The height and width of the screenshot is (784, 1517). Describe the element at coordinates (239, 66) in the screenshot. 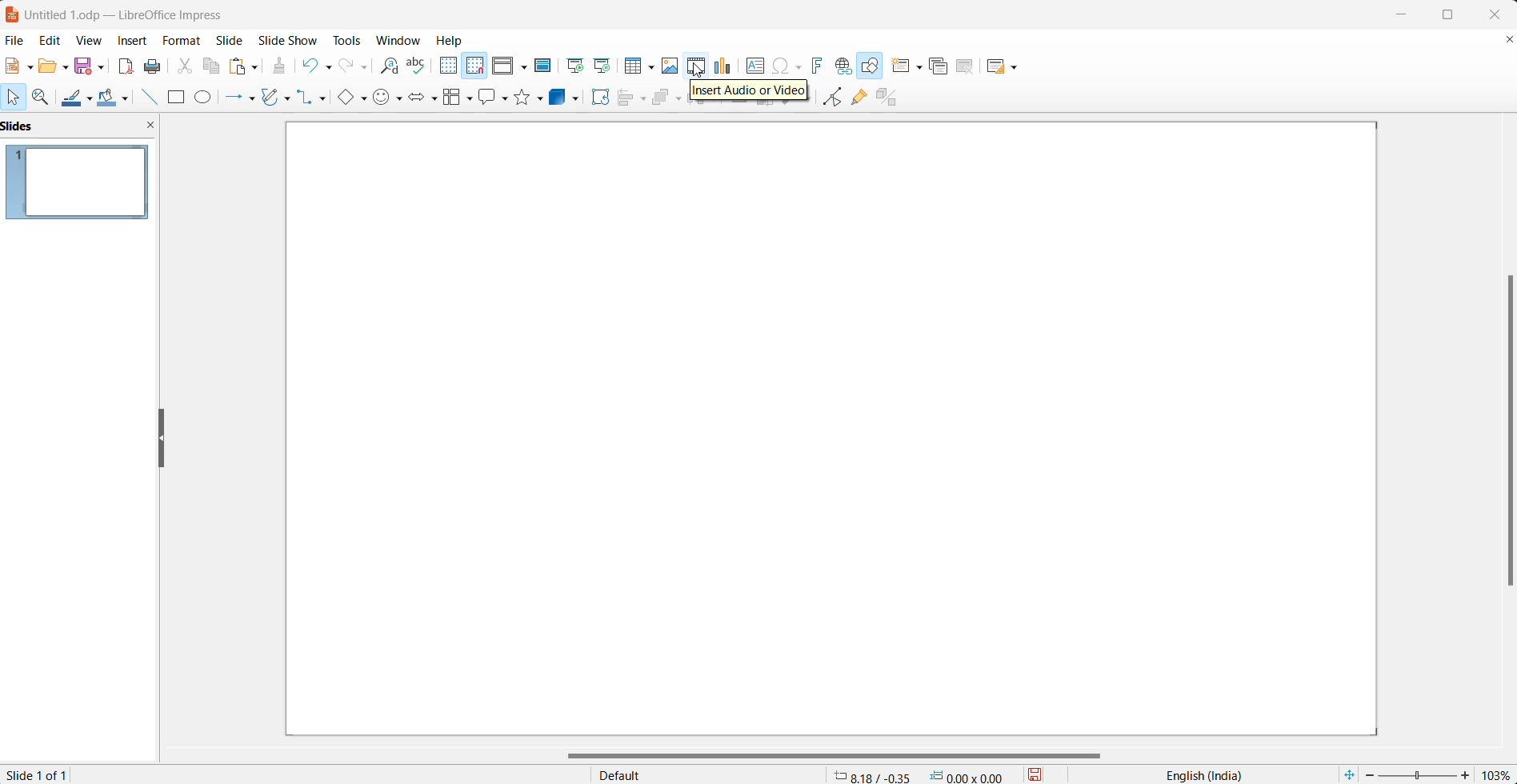

I see `paste` at that location.